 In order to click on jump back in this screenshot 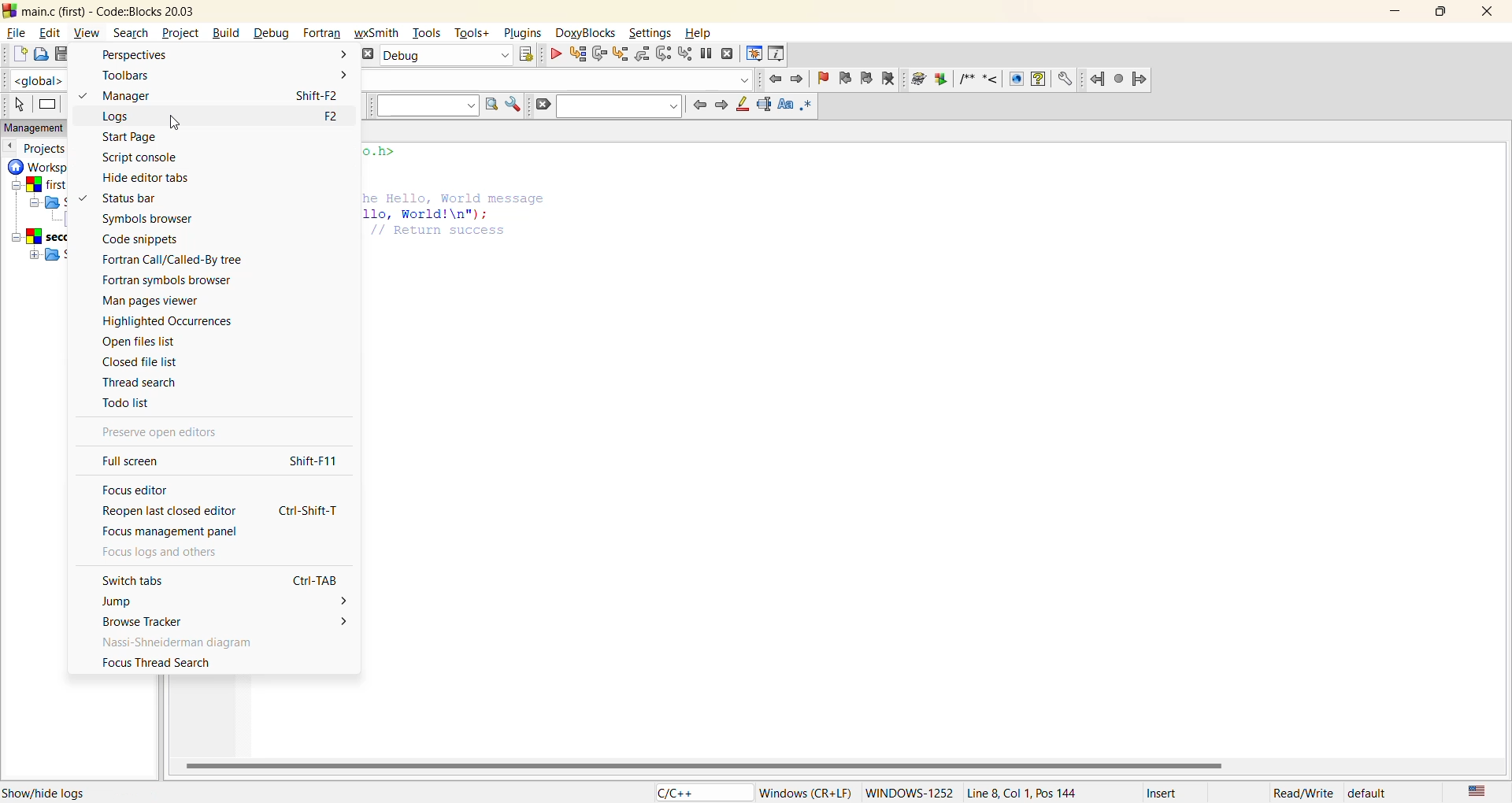, I will do `click(777, 79)`.